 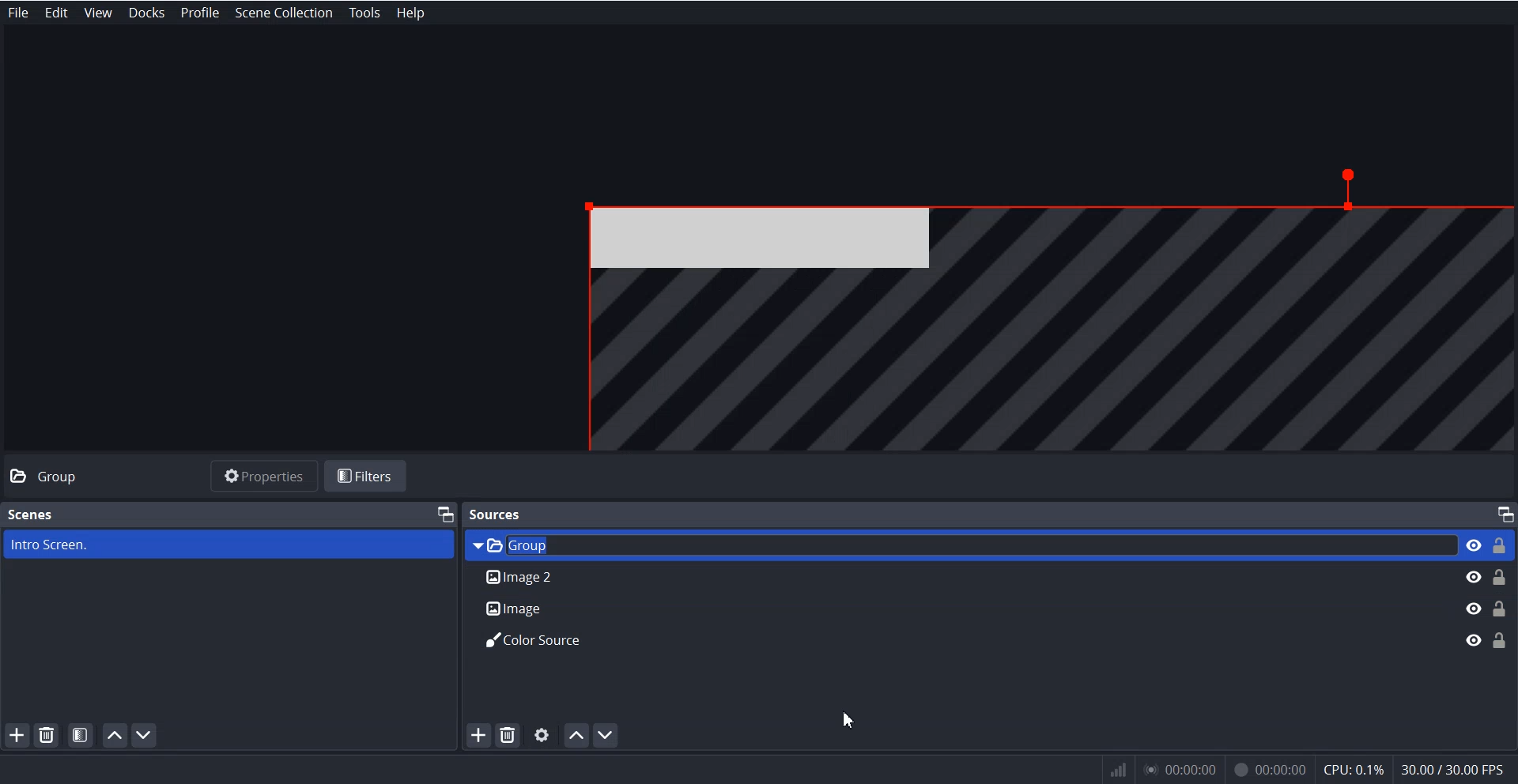 What do you see at coordinates (57, 13) in the screenshot?
I see `Edit` at bounding box center [57, 13].